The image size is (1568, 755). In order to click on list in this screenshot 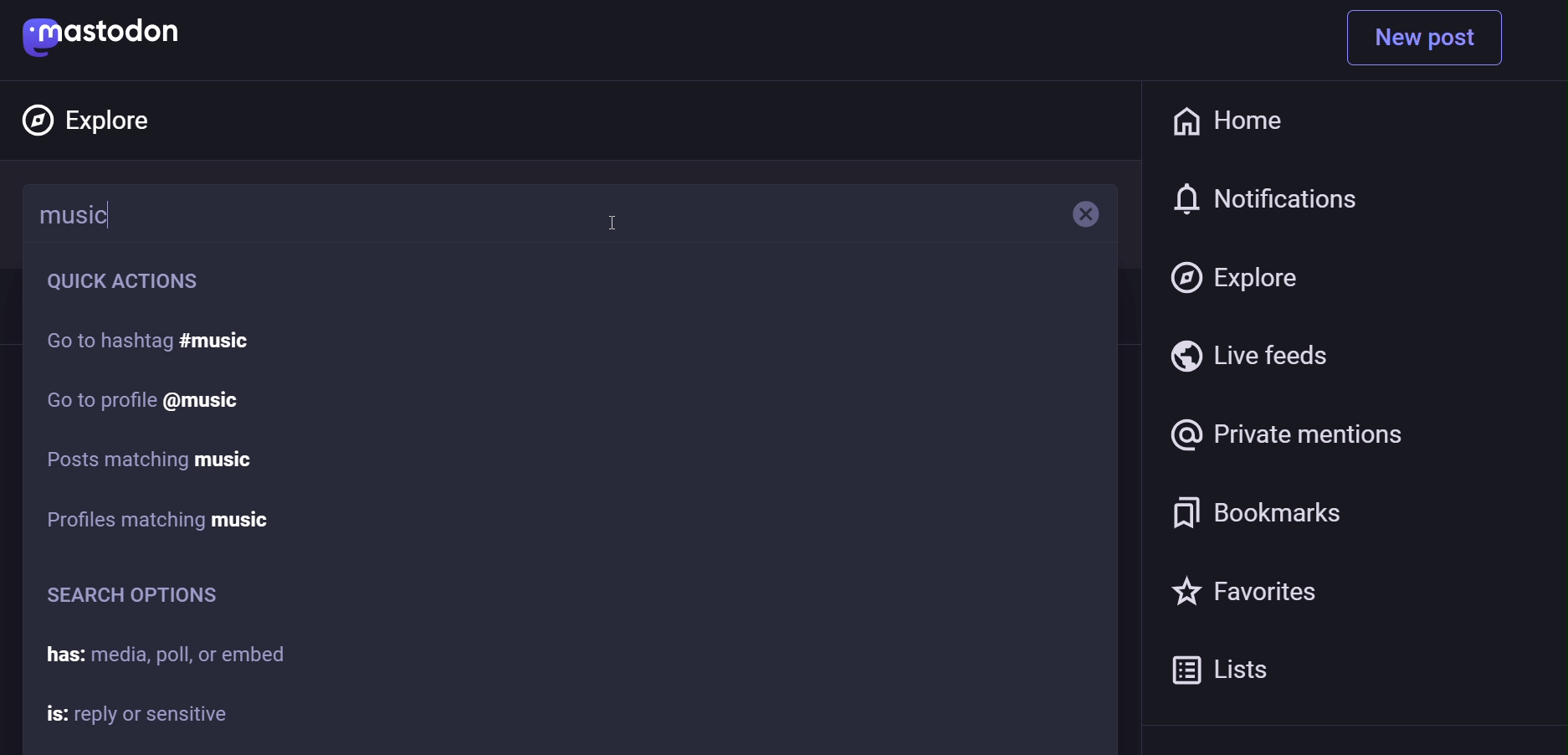, I will do `click(1224, 666)`.